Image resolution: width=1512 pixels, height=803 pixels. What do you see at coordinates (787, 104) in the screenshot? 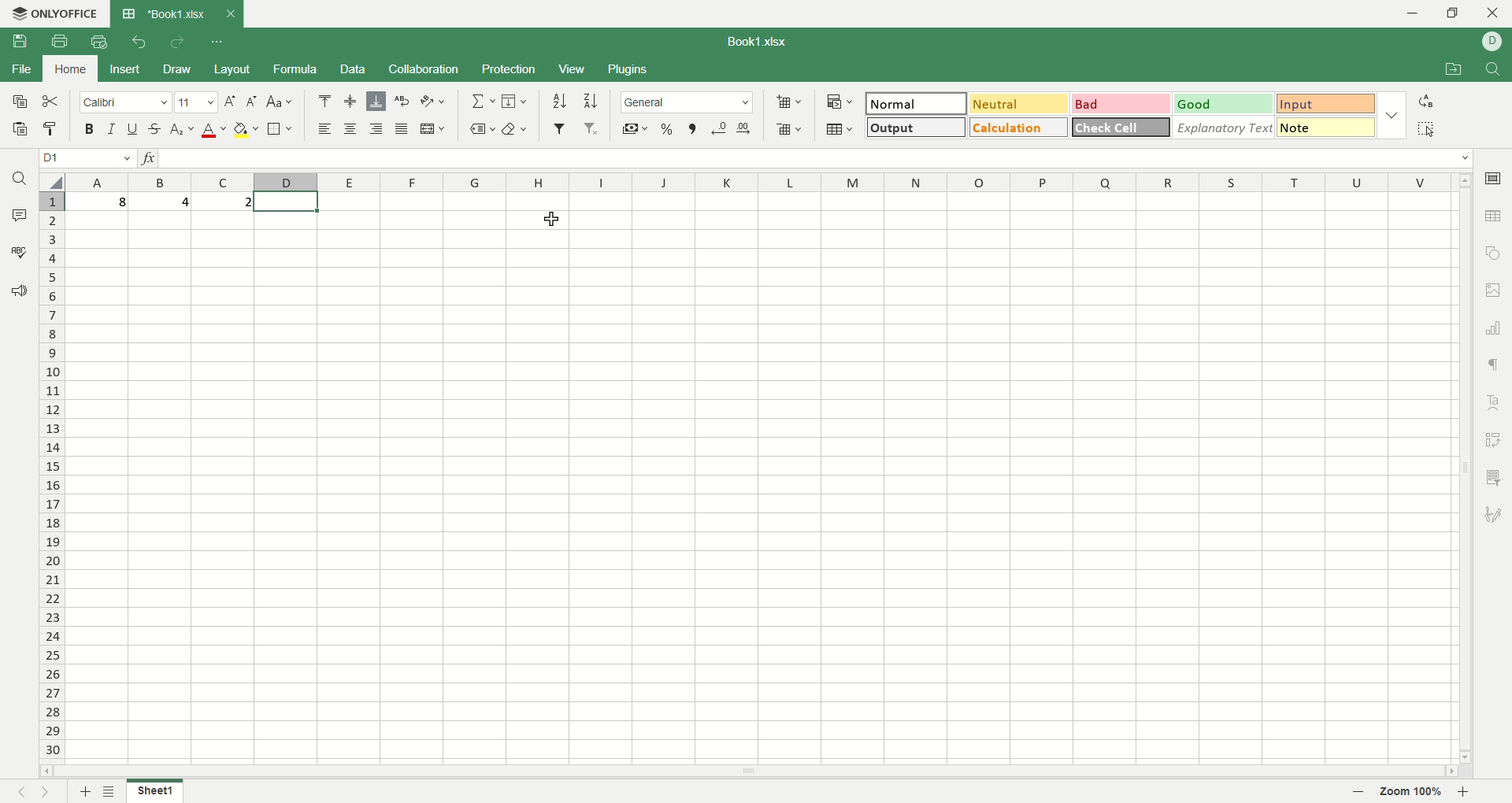
I see `insert cell` at bounding box center [787, 104].